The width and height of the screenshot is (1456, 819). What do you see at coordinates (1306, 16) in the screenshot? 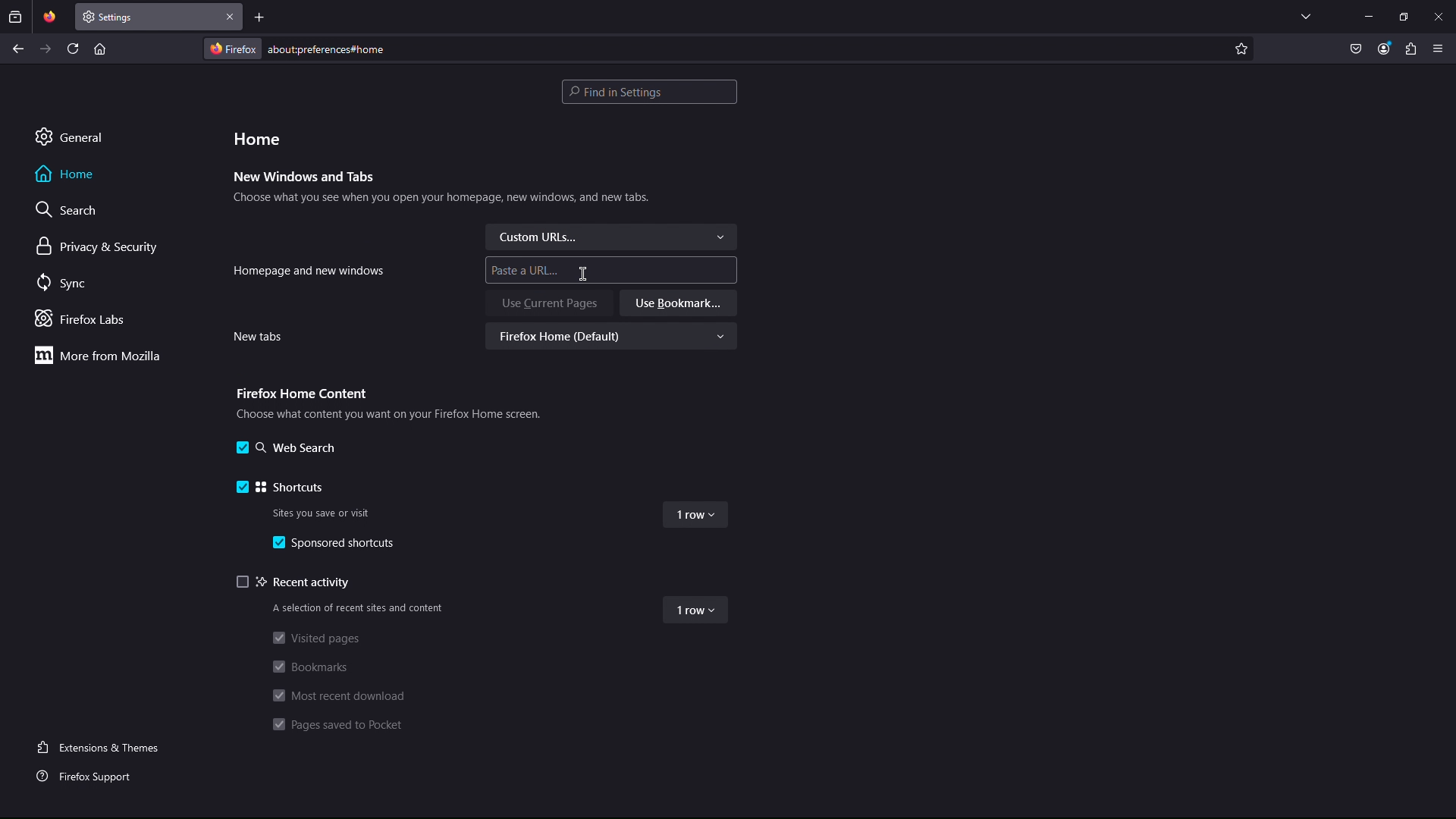
I see `List all tabs` at bounding box center [1306, 16].